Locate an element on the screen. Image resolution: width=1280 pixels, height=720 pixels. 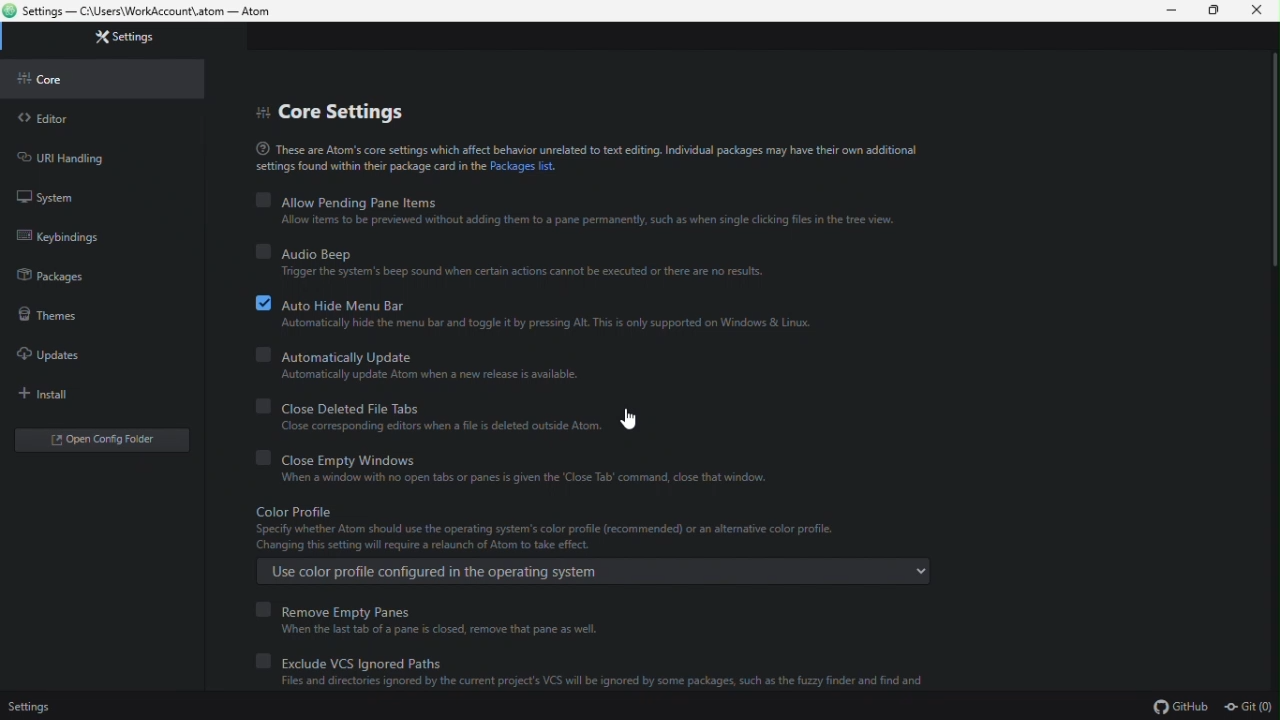
close is located at coordinates (1258, 11).